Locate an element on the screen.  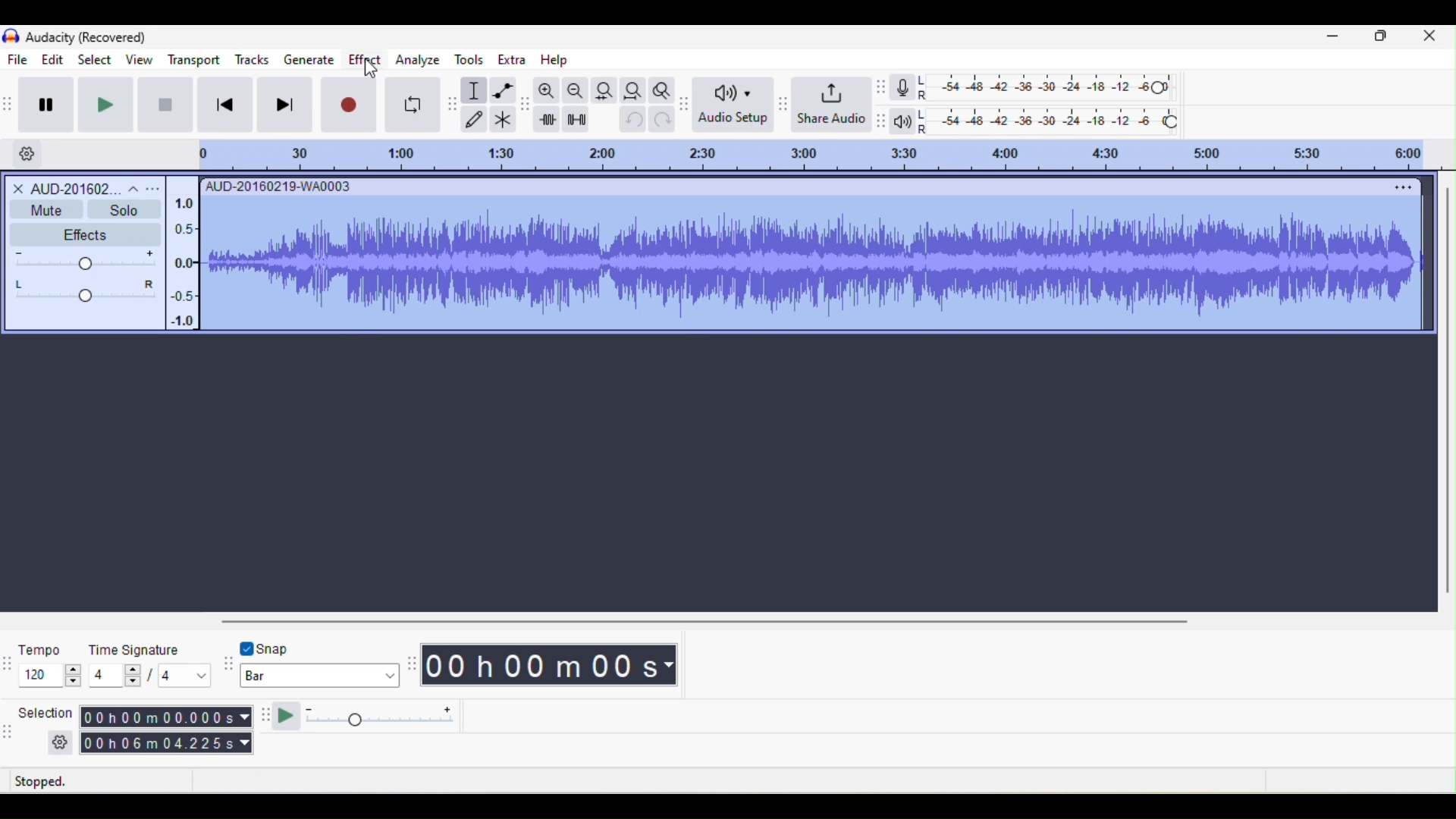
envelope tool is located at coordinates (504, 90).